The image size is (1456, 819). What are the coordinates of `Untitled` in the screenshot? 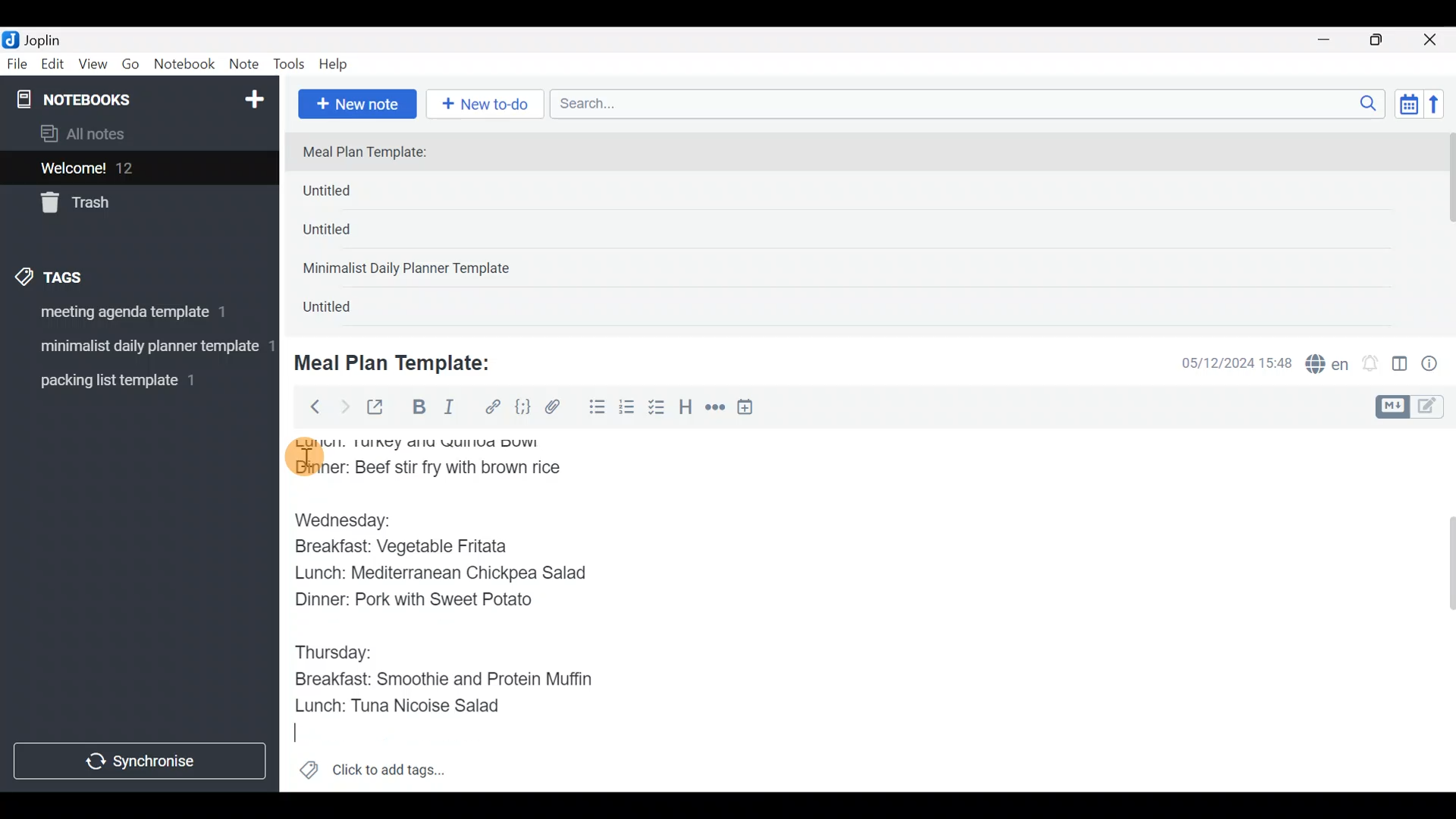 It's located at (352, 194).